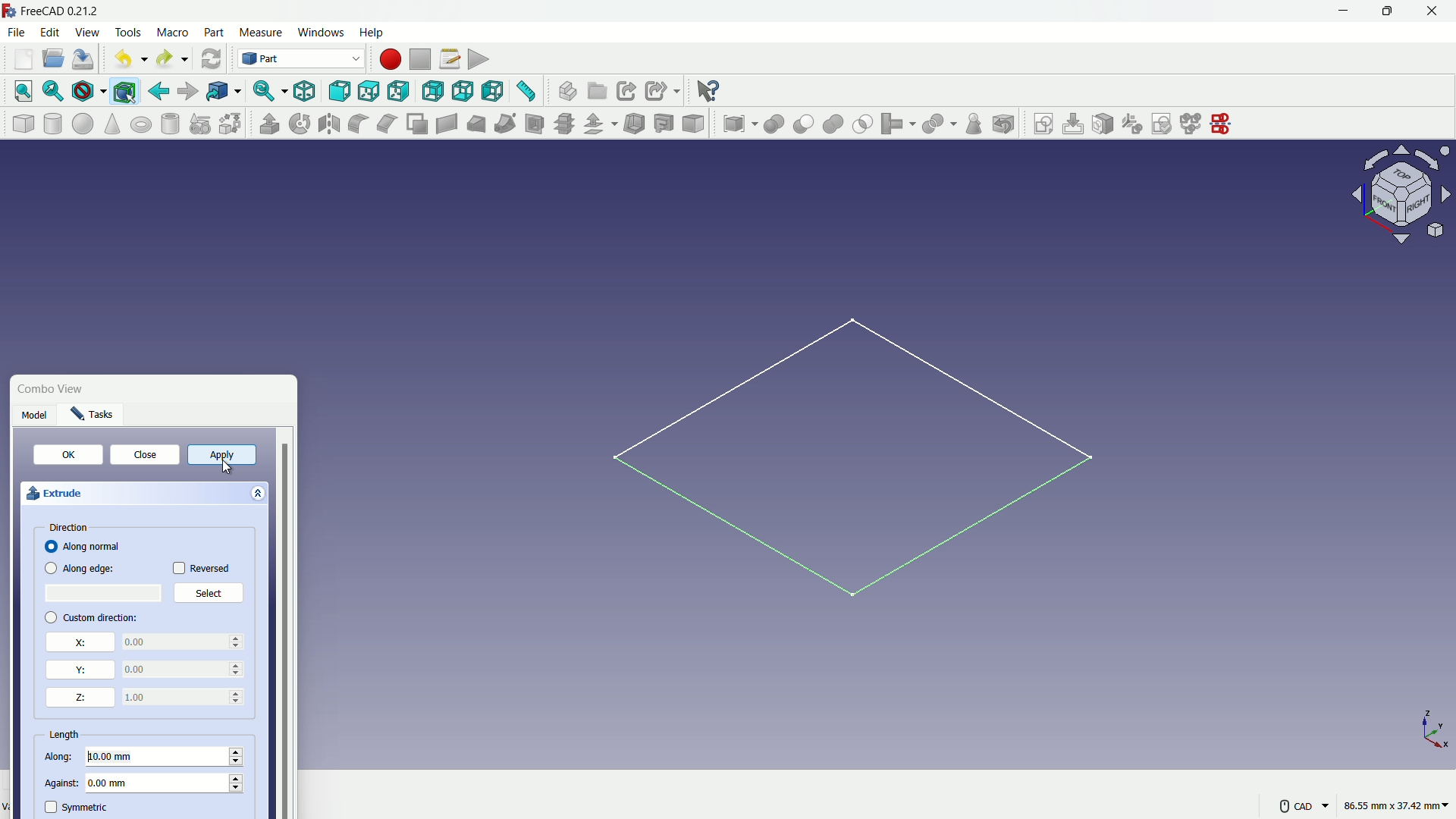  I want to click on chamfer, so click(387, 124).